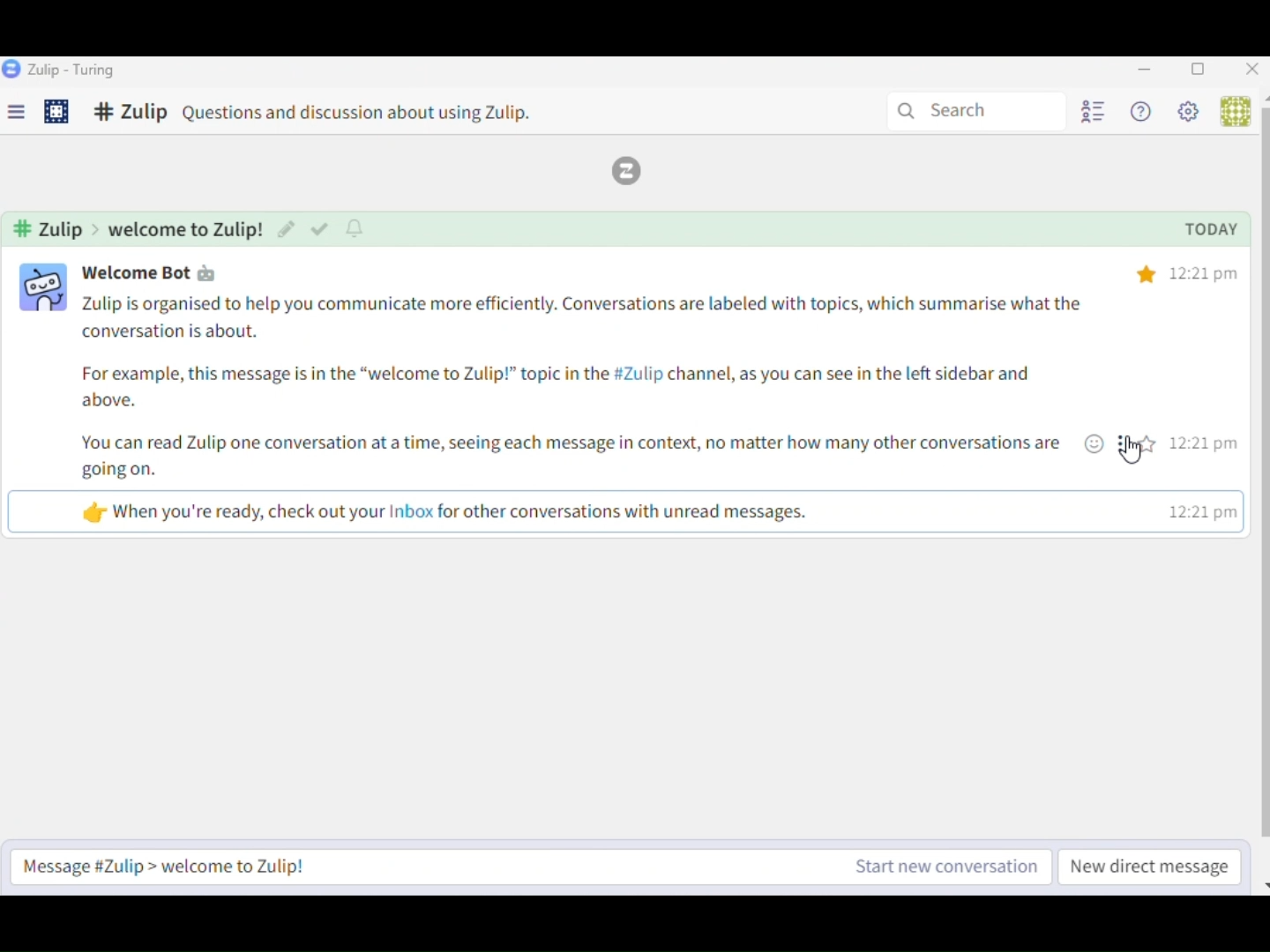  I want to click on channel, so click(140, 228).